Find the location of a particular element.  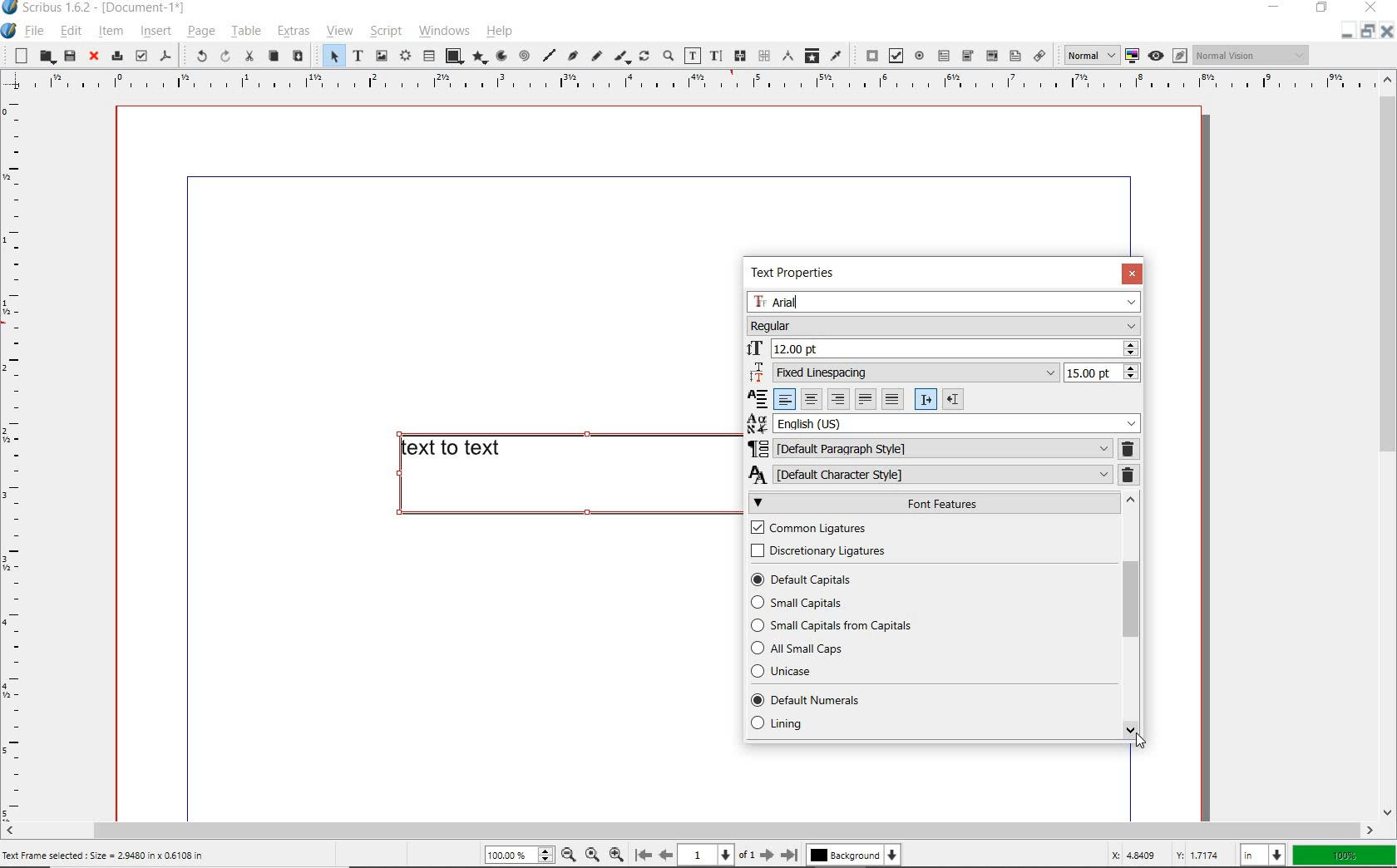

SMALL CAPITALS is located at coordinates (798, 602).